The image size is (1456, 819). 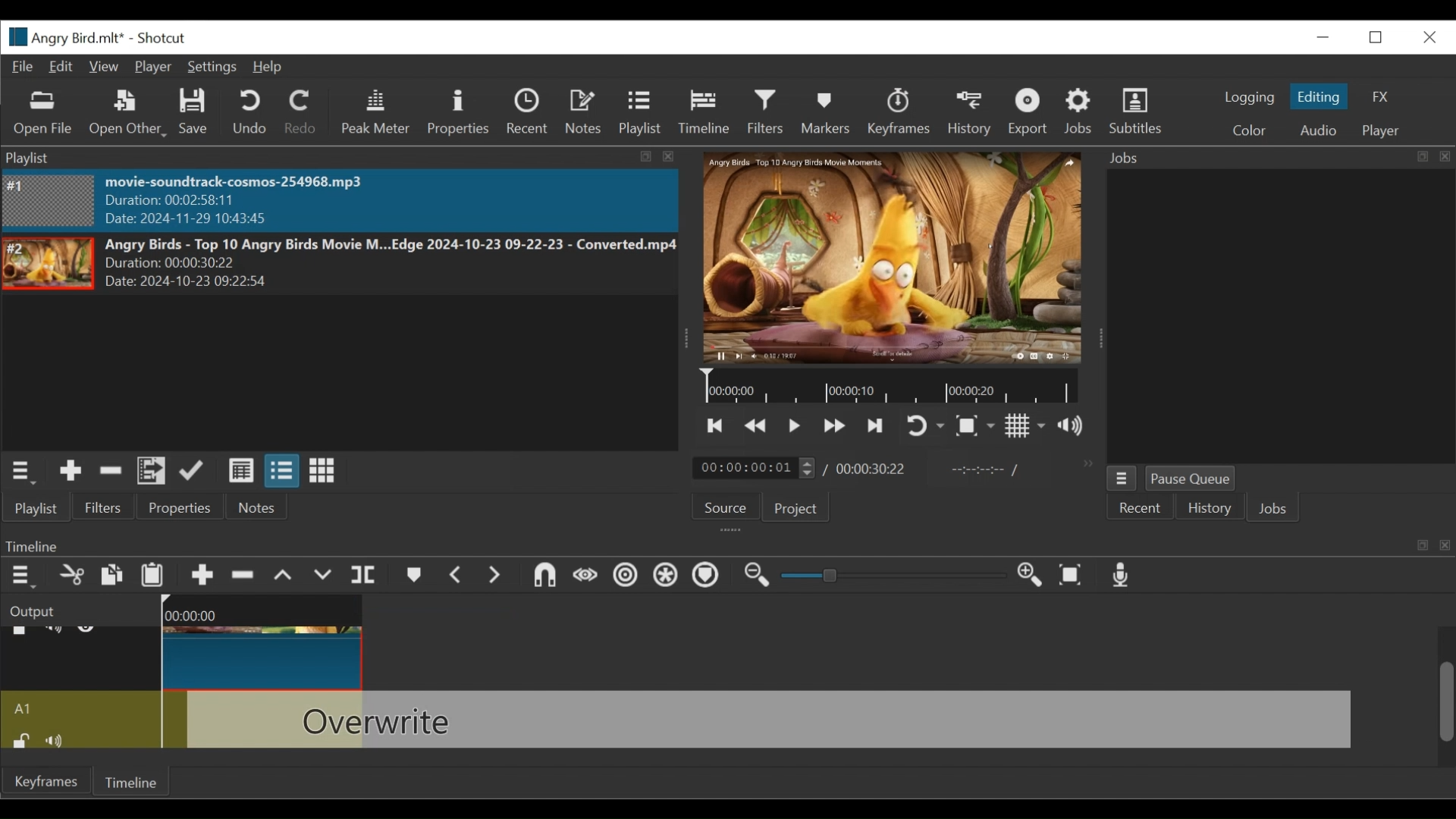 What do you see at coordinates (183, 508) in the screenshot?
I see `Properties` at bounding box center [183, 508].